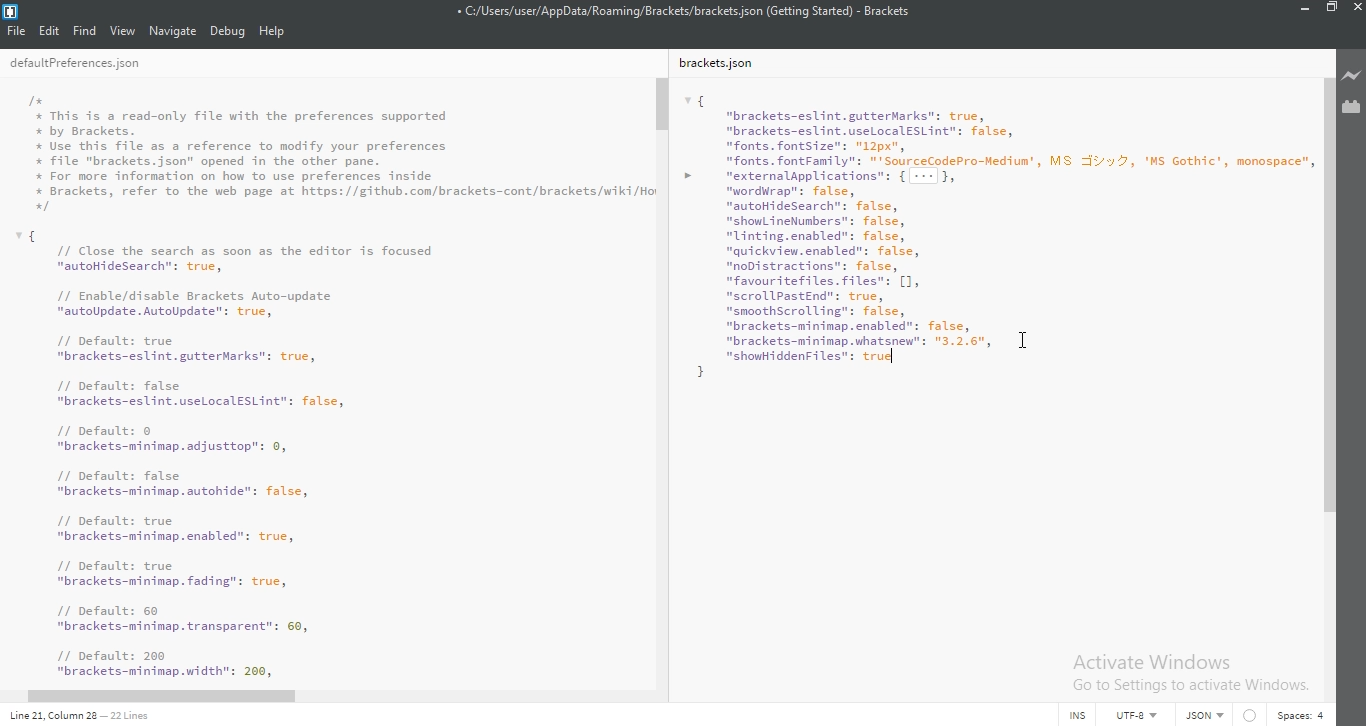 The height and width of the screenshot is (726, 1366). I want to click on restore, so click(1330, 11).